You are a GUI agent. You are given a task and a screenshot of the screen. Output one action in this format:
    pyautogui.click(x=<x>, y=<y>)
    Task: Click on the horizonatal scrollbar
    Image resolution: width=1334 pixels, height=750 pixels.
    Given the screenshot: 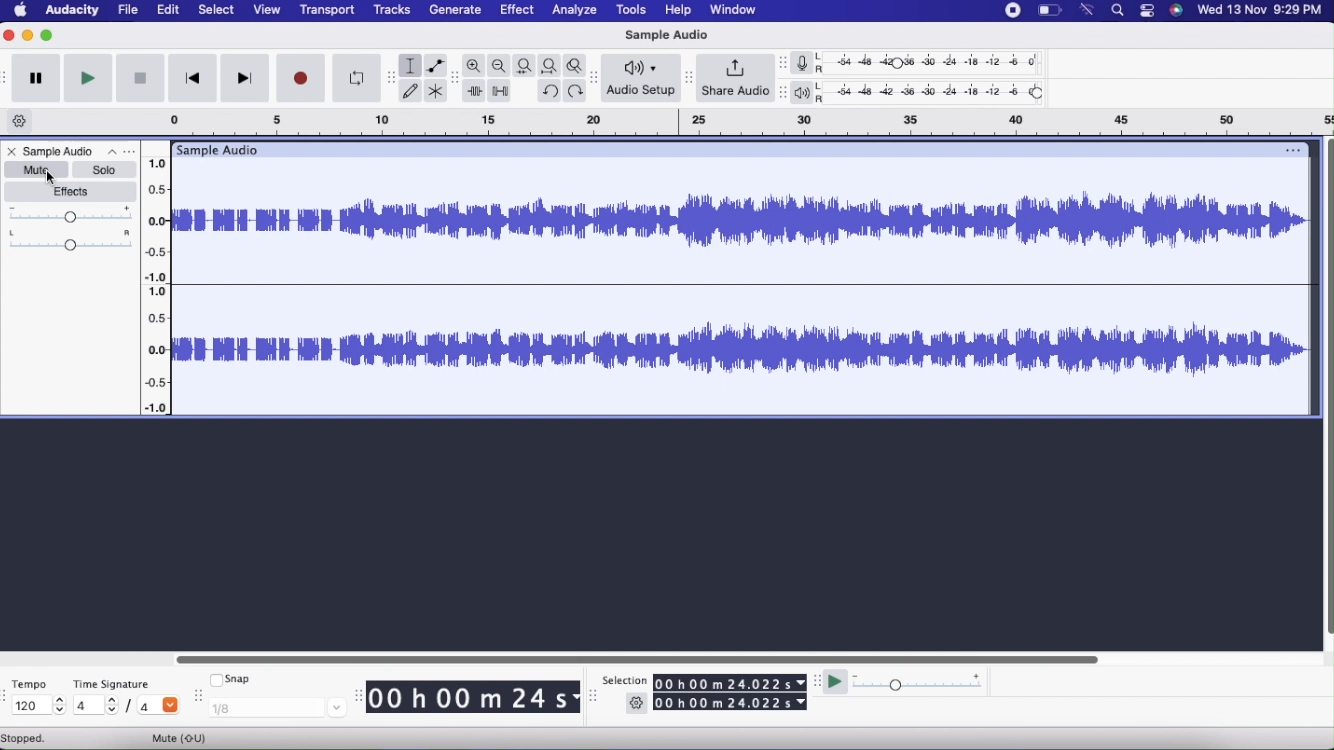 What is the action you would take?
    pyautogui.click(x=639, y=659)
    